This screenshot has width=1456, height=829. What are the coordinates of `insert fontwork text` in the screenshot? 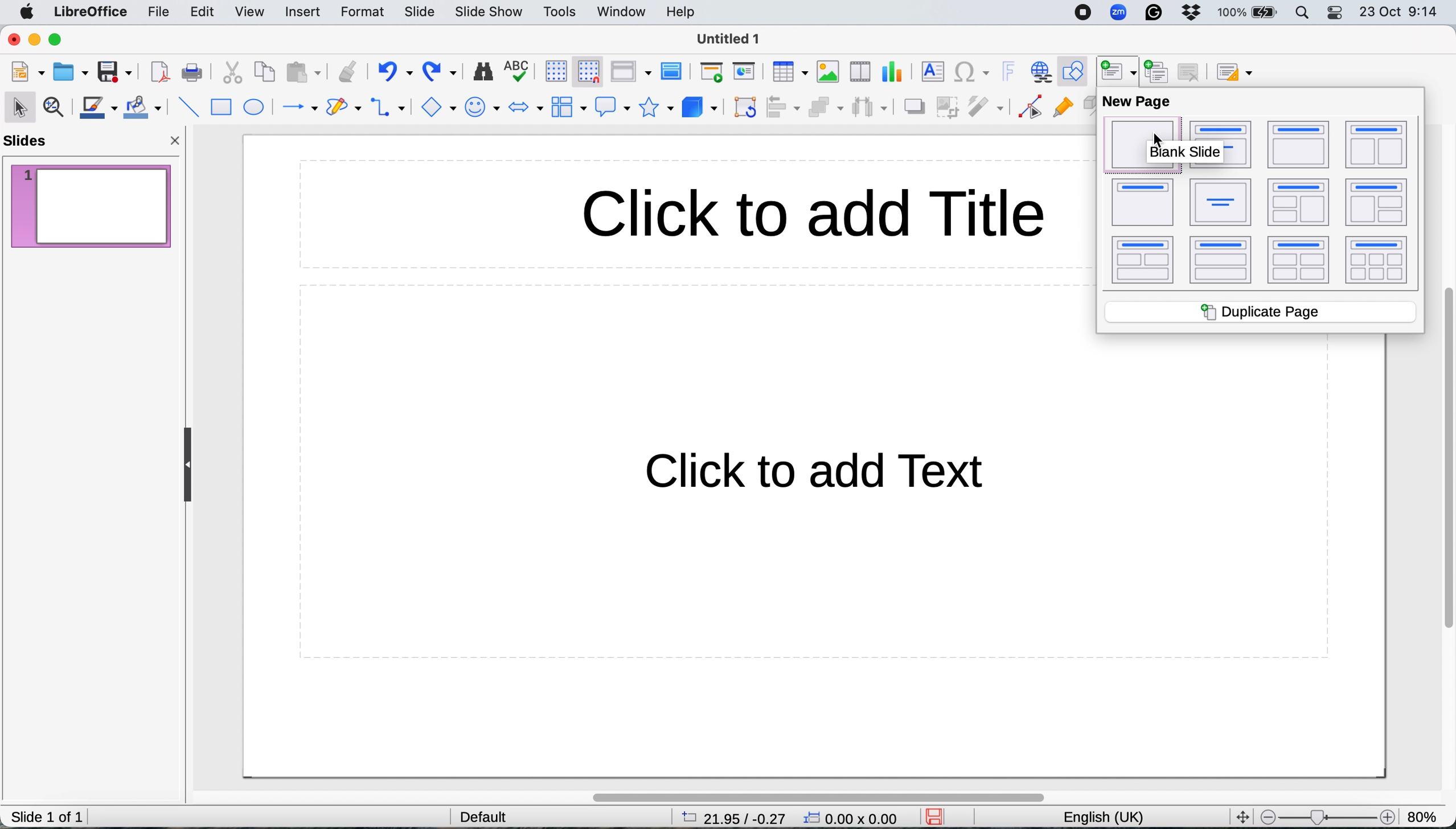 It's located at (1010, 71).